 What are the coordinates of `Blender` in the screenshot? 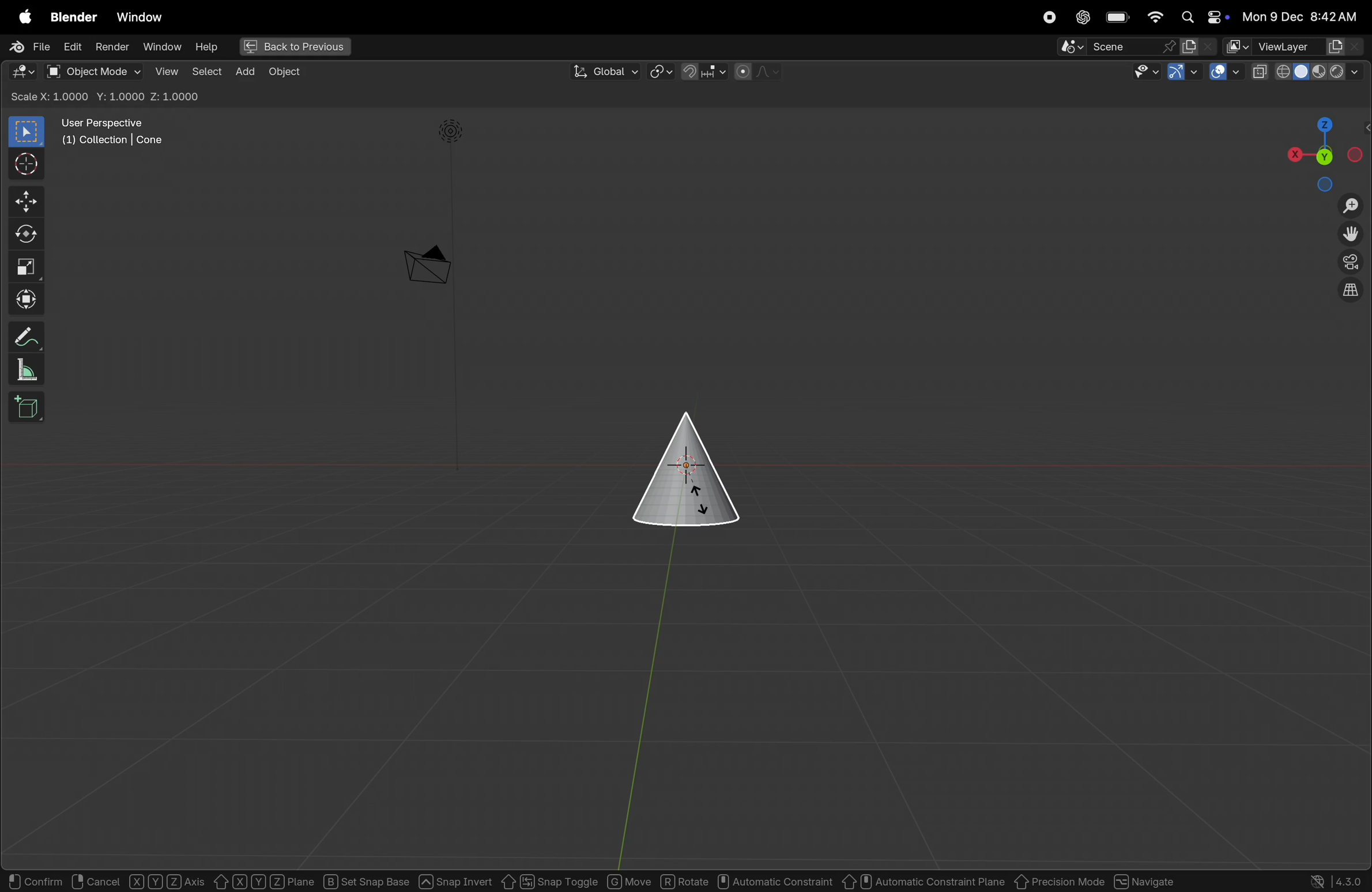 It's located at (75, 17).